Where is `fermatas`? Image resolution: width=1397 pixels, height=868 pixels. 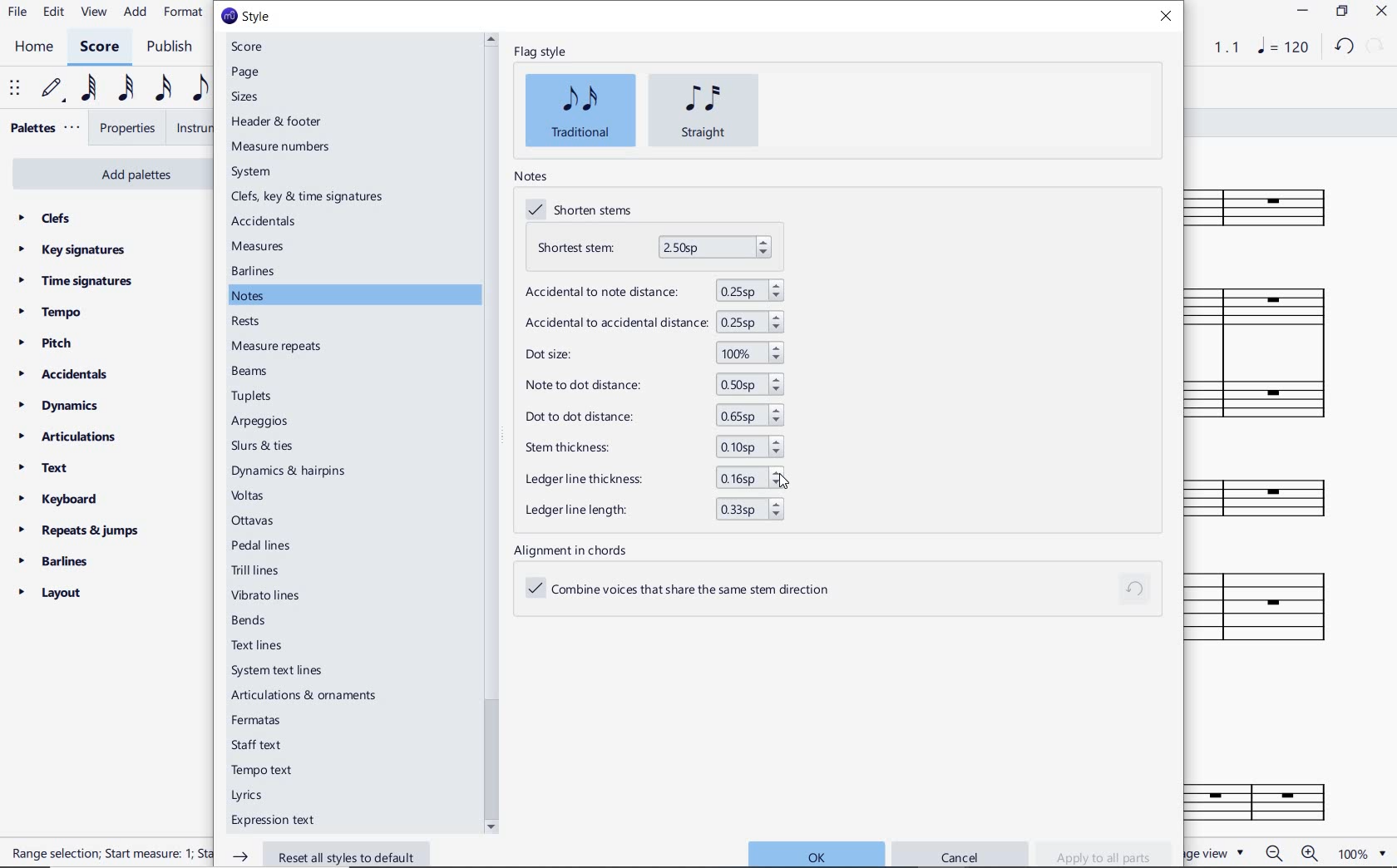
fermatas is located at coordinates (255, 718).